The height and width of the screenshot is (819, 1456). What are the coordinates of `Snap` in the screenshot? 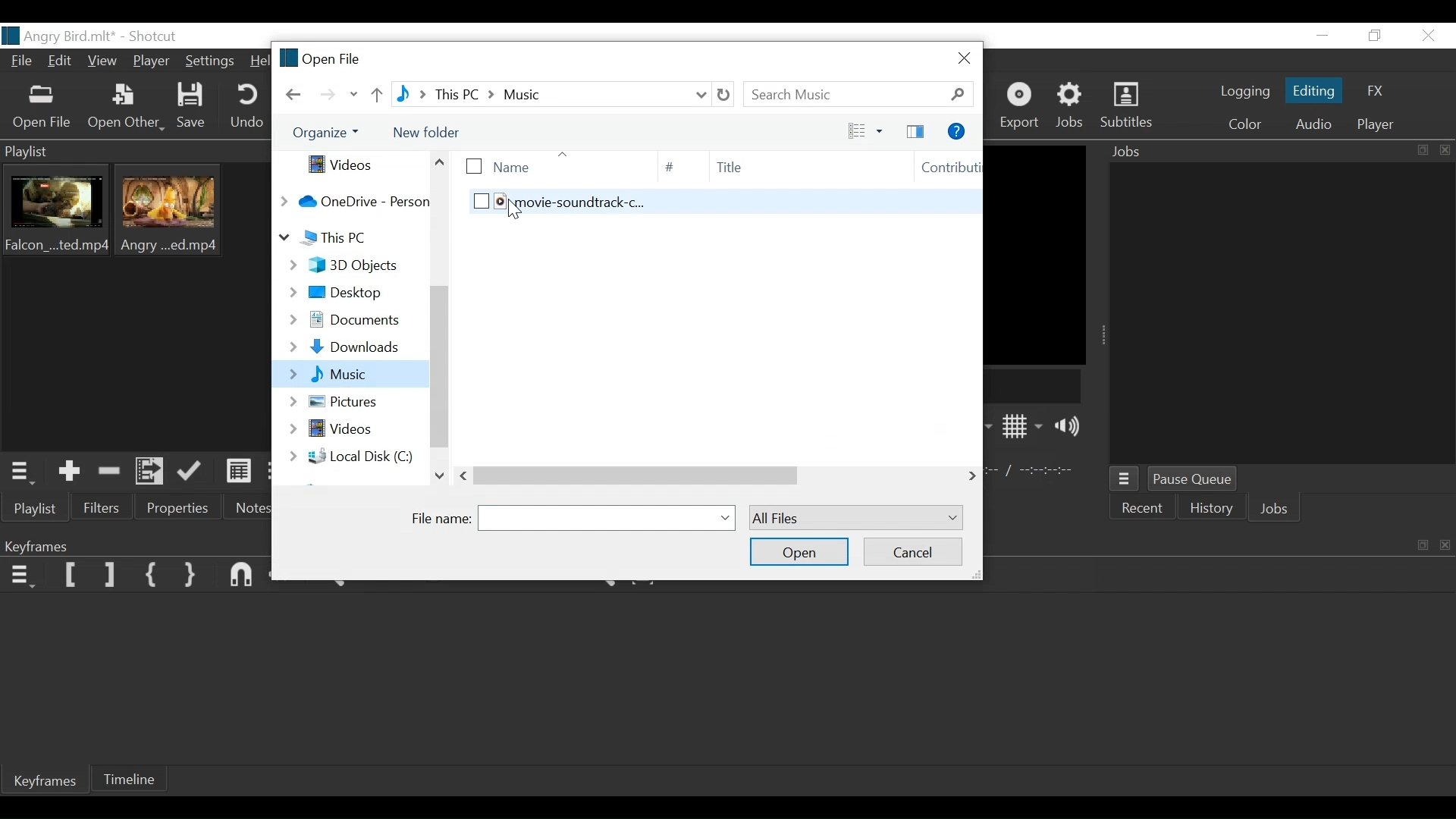 It's located at (243, 576).